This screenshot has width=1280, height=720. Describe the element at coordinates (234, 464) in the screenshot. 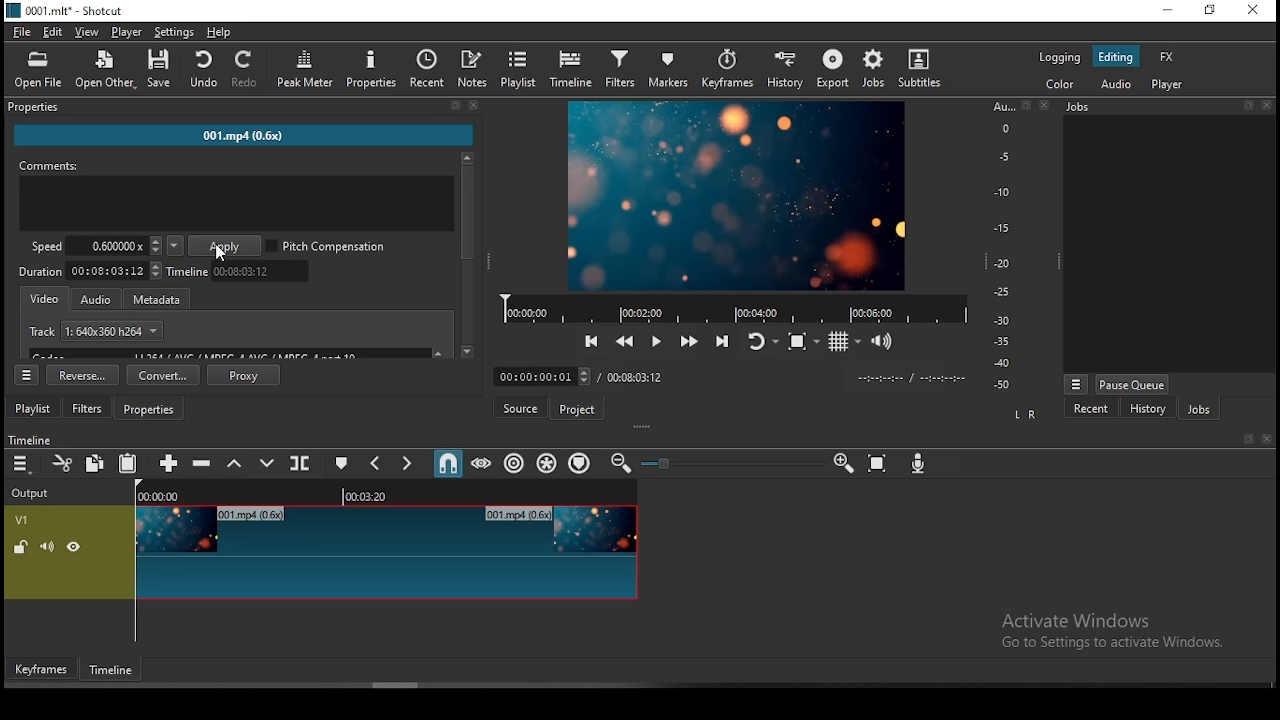

I see `lift` at that location.